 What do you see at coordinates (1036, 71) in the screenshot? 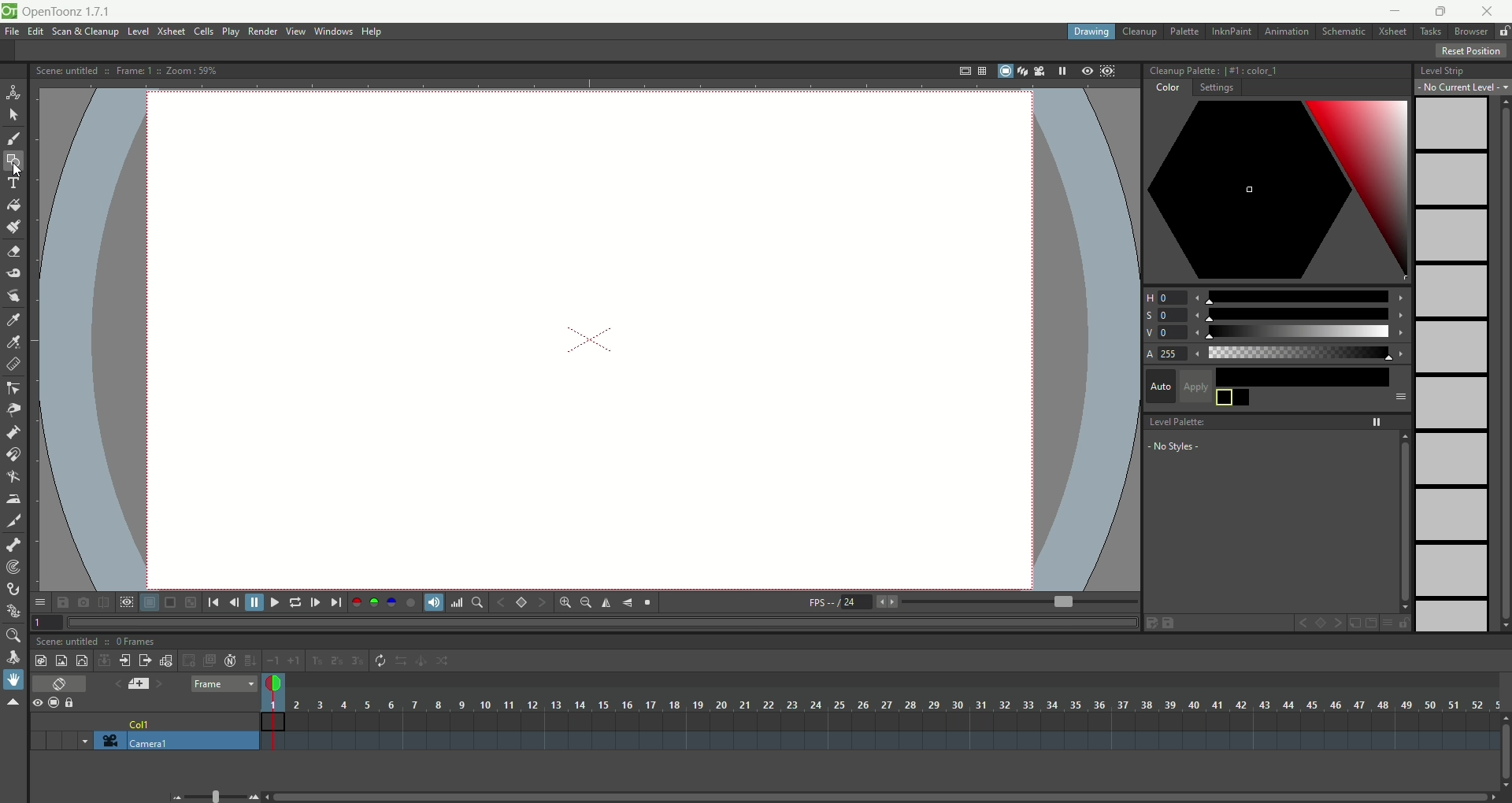
I see `camera view` at bounding box center [1036, 71].